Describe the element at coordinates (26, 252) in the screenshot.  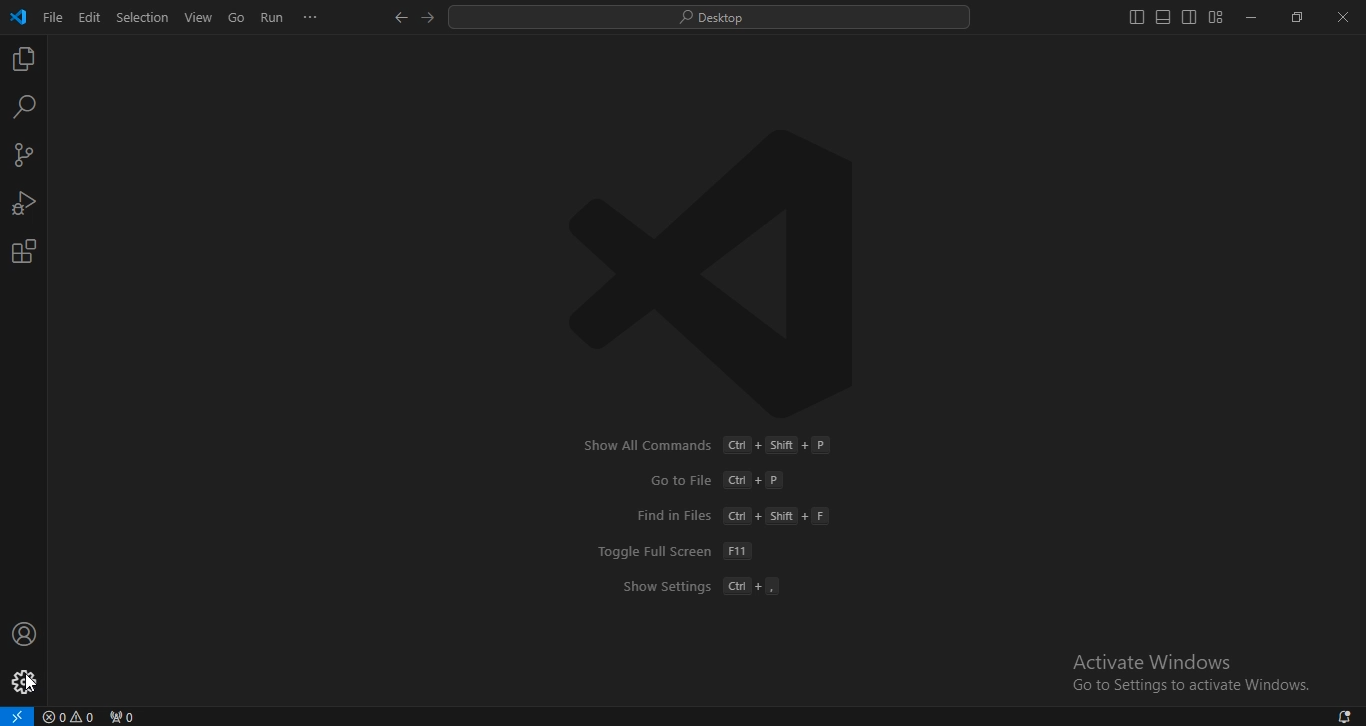
I see `extensions` at that location.